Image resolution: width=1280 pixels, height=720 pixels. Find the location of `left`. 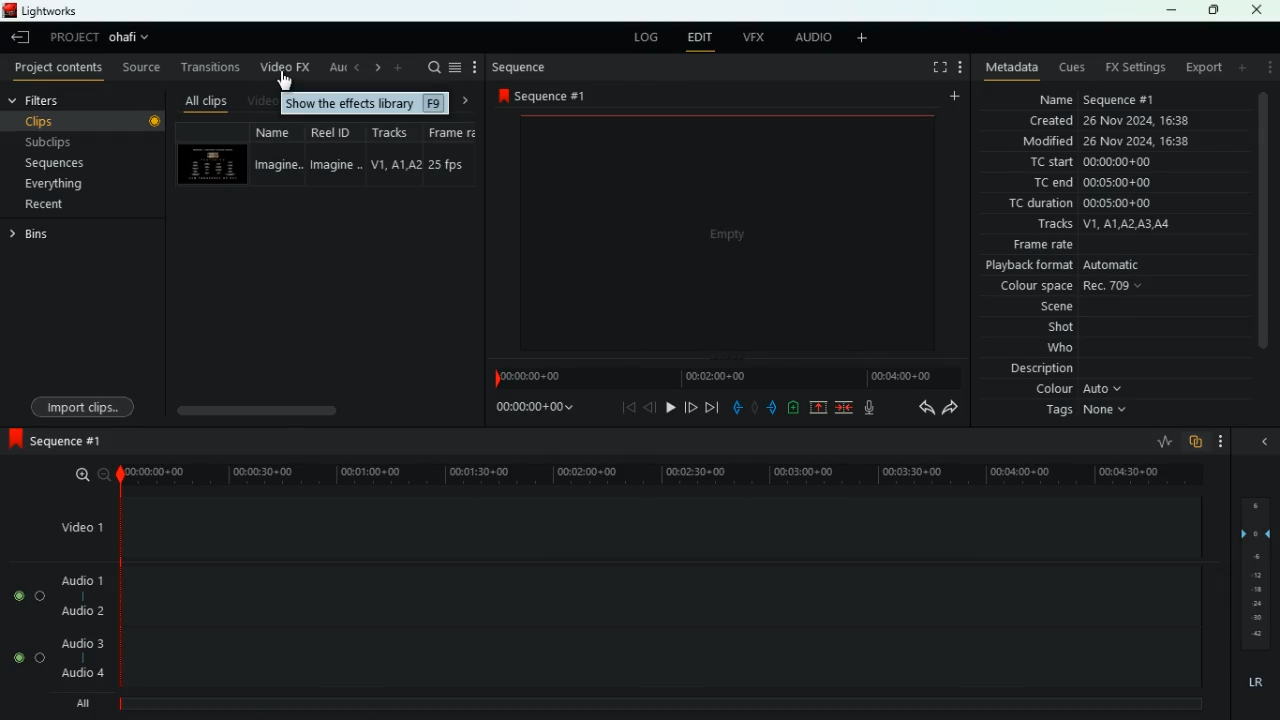

left is located at coordinates (359, 69).